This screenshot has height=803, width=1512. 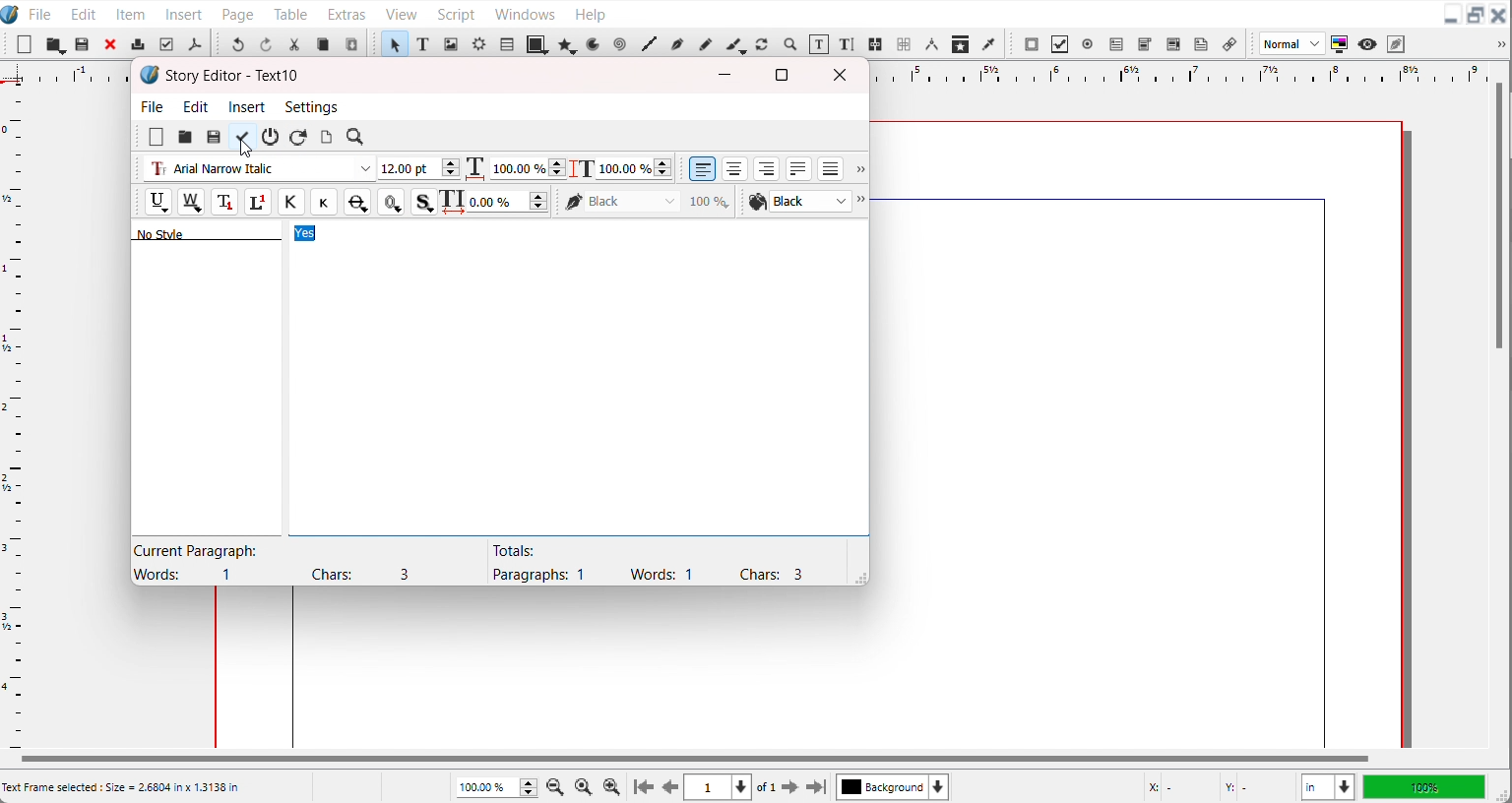 What do you see at coordinates (1115, 45) in the screenshot?
I see `PDF text field` at bounding box center [1115, 45].